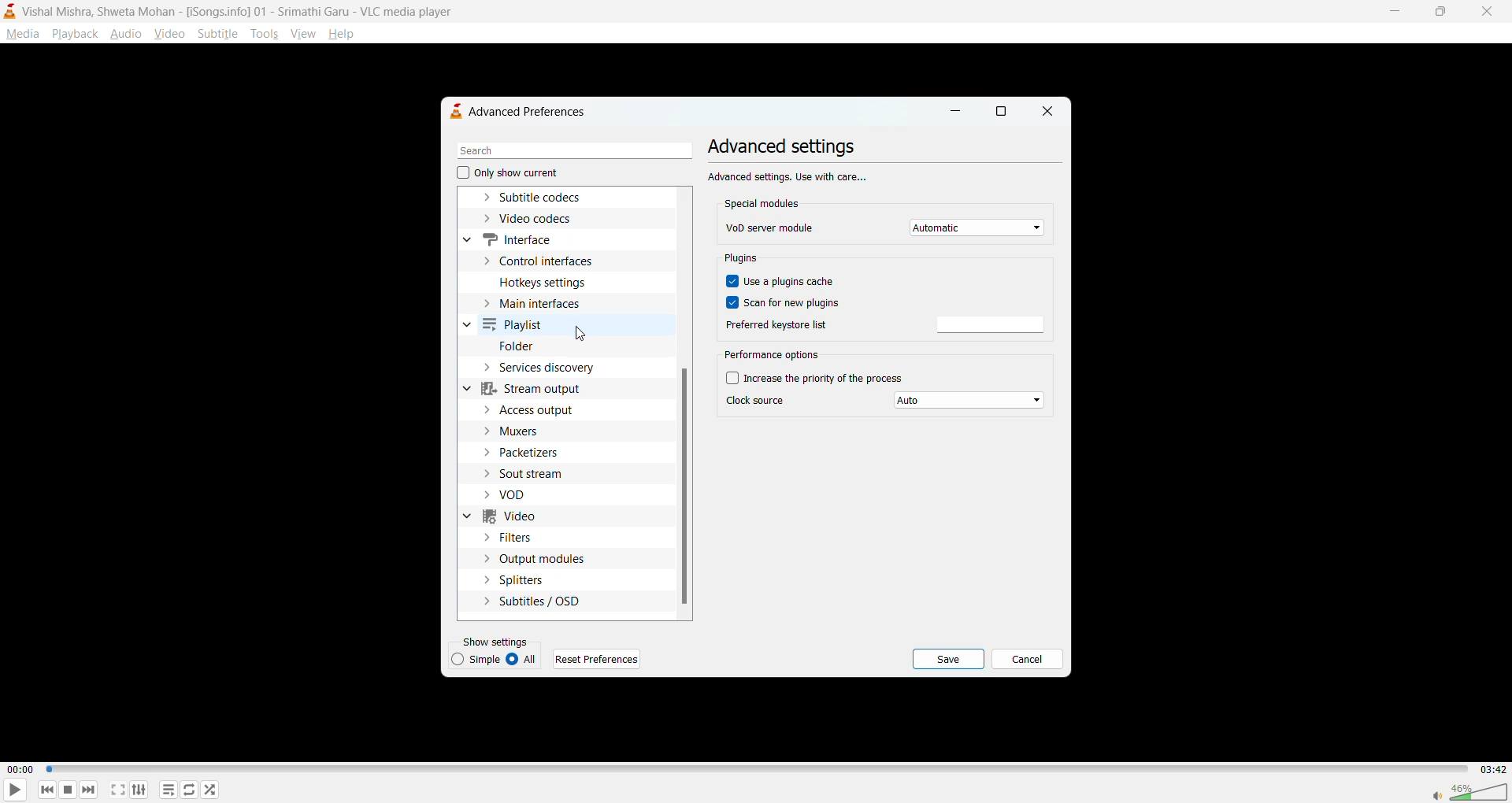  I want to click on Advanced settings, Use with care..., so click(789, 176).